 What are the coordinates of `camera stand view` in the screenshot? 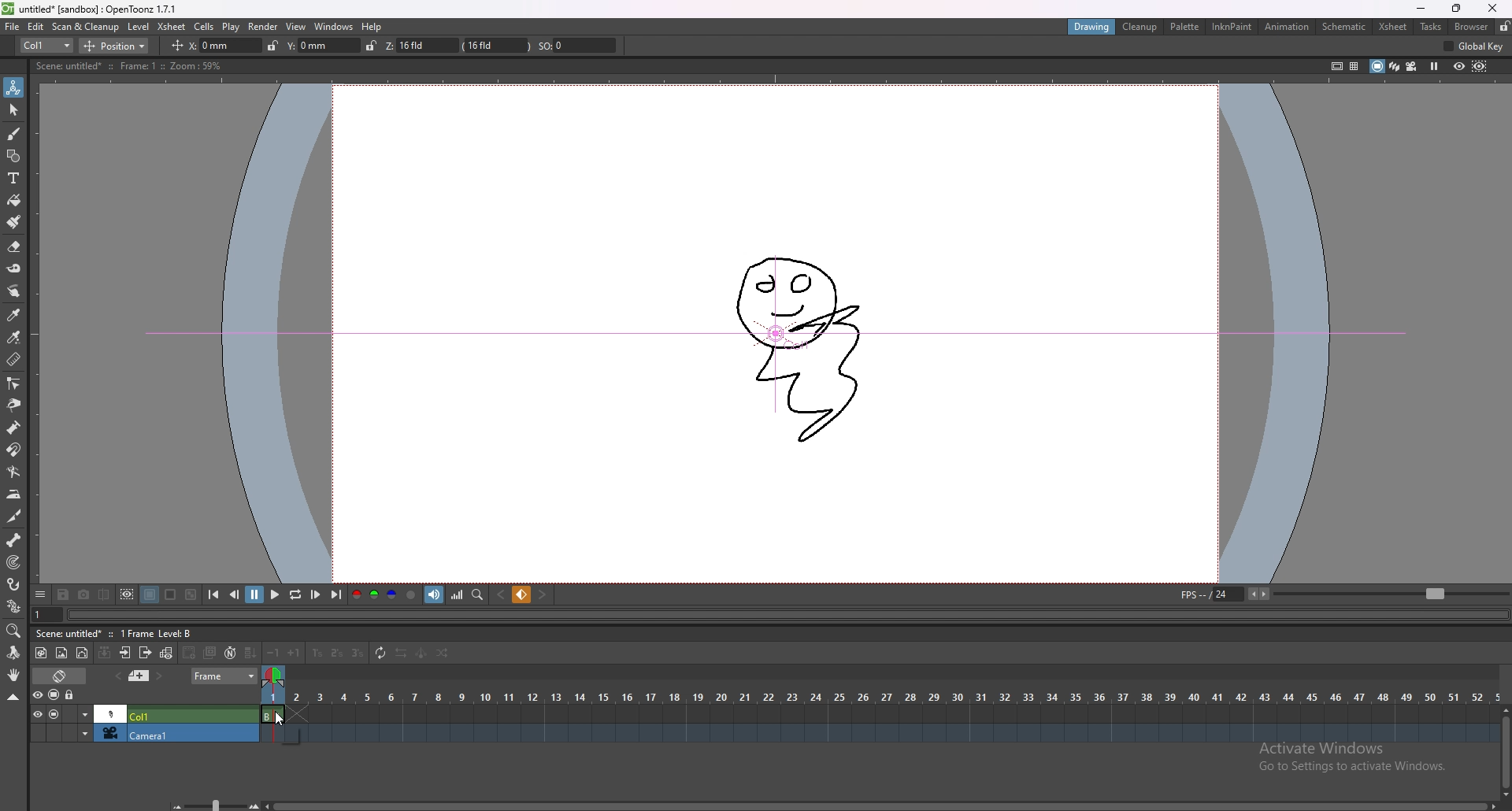 It's located at (1377, 66).